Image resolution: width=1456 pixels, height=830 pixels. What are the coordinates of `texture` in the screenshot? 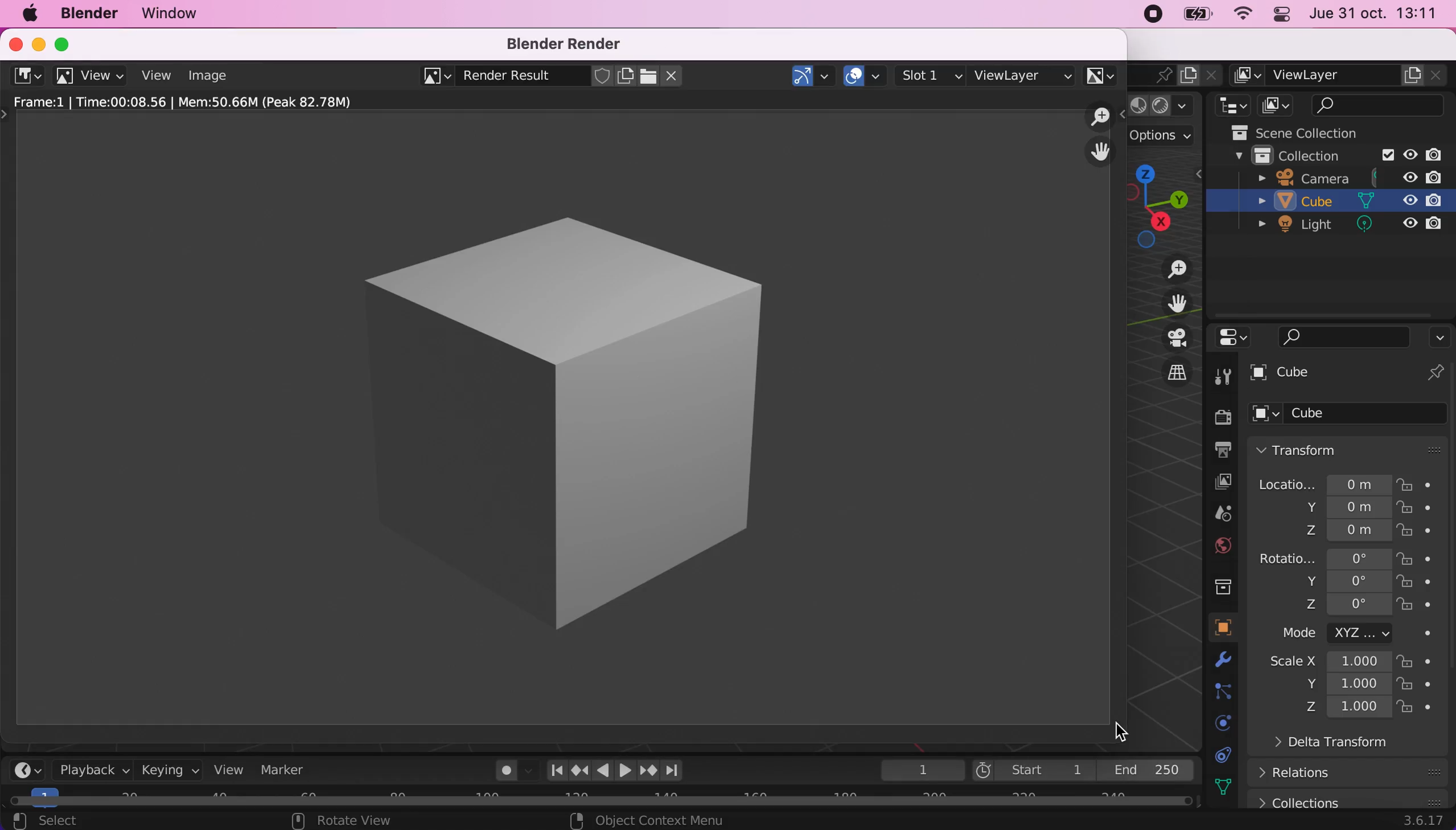 It's located at (1229, 787).